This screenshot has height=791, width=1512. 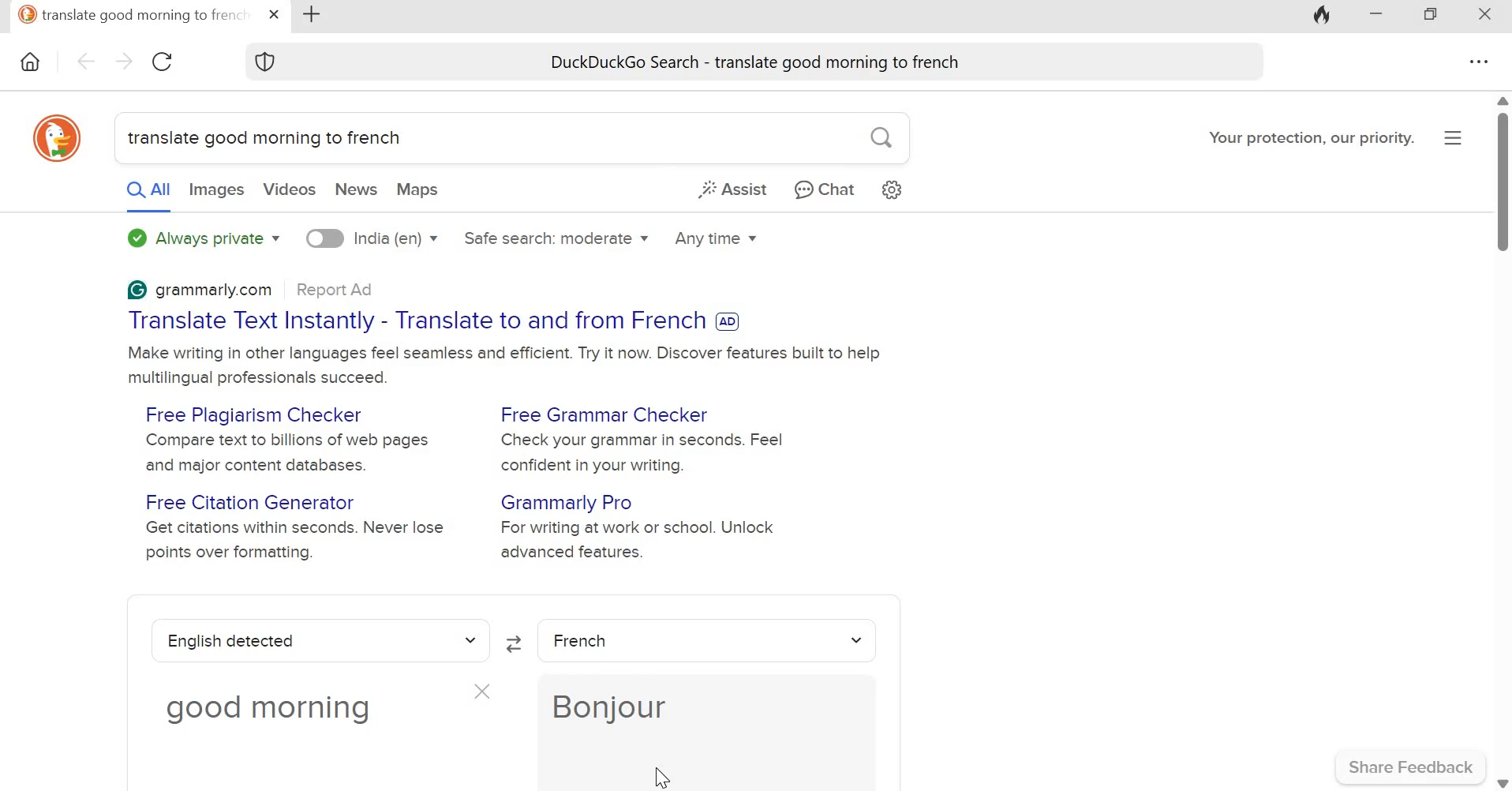 I want to click on India (en), so click(x=400, y=238).